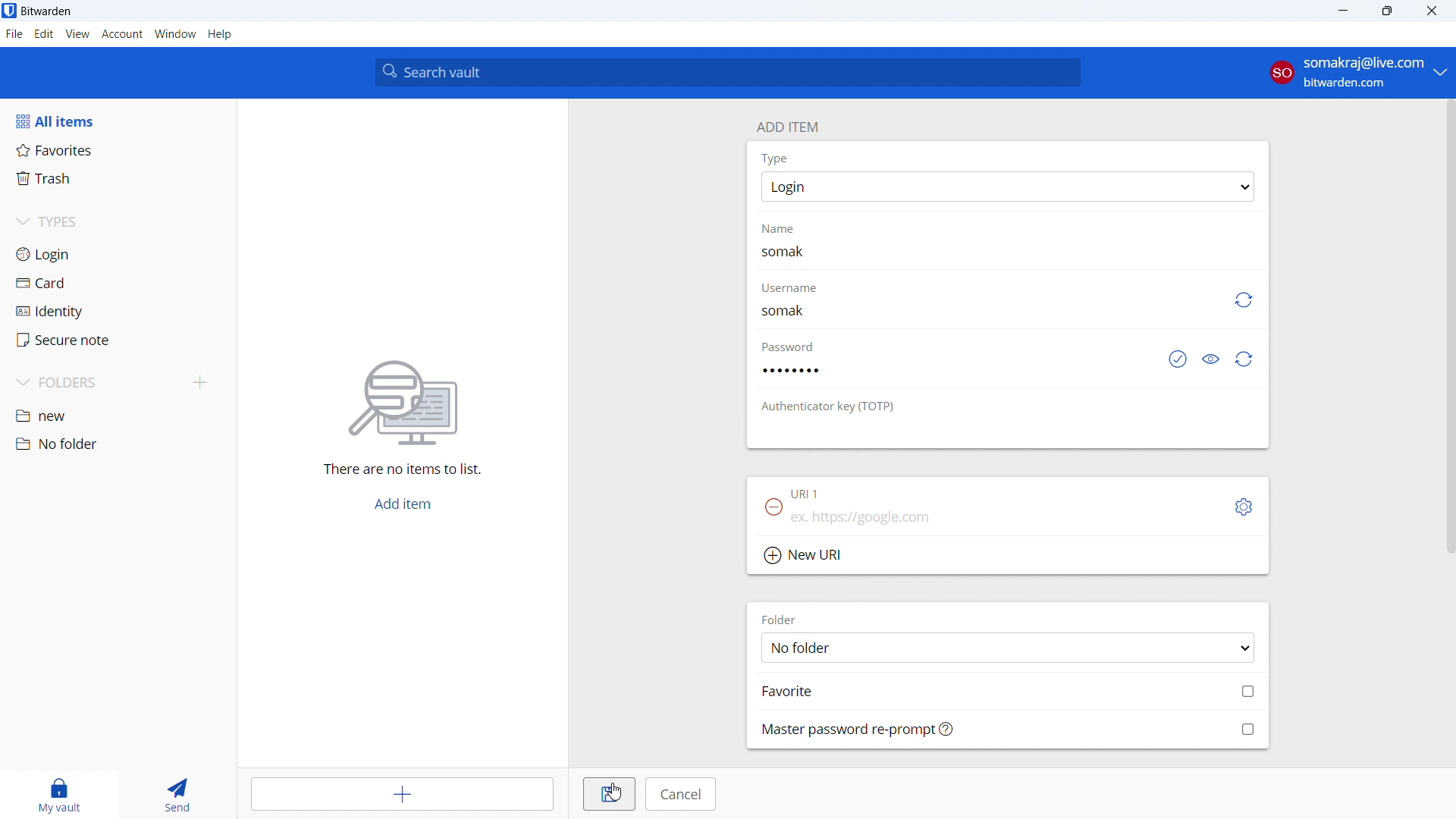 The image size is (1456, 819). What do you see at coordinates (727, 72) in the screenshot?
I see `search vault` at bounding box center [727, 72].